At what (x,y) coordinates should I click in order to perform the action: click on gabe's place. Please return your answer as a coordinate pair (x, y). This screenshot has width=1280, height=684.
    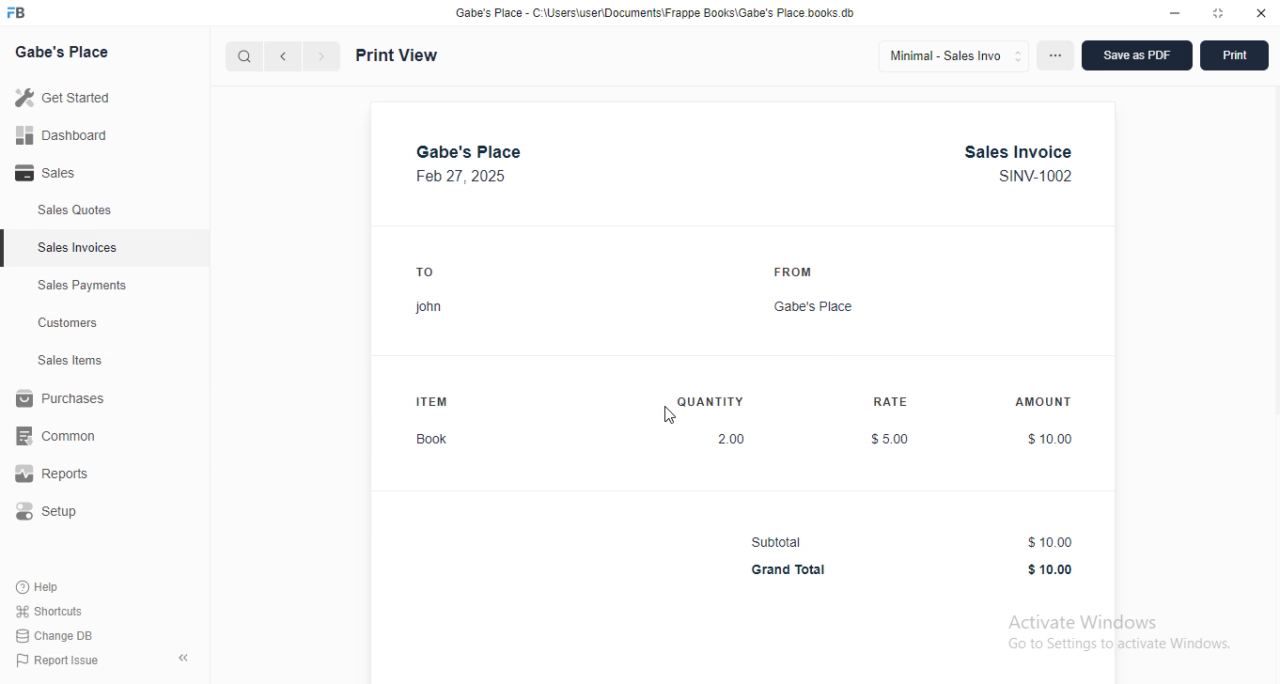
    Looking at the image, I should click on (468, 152).